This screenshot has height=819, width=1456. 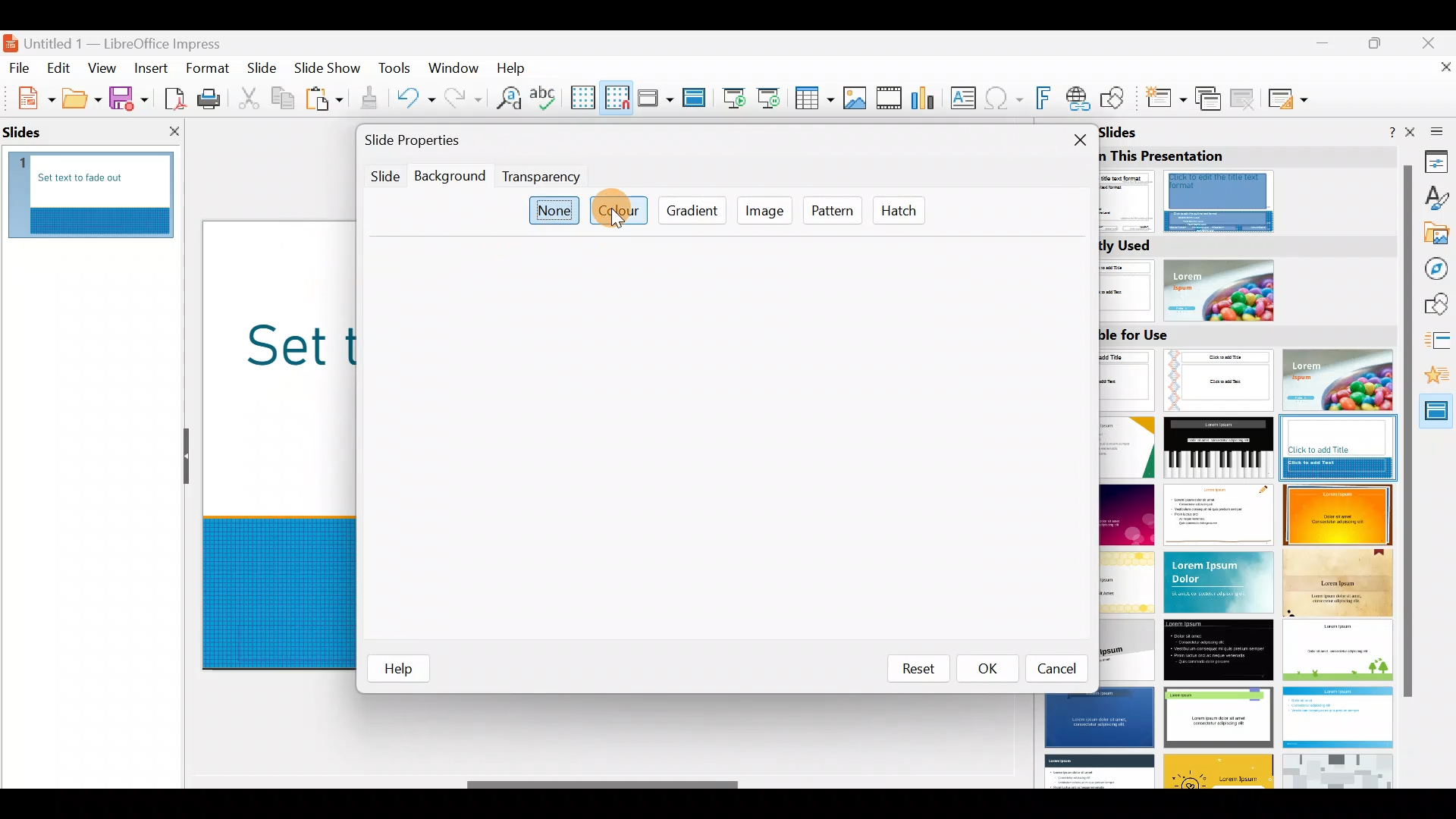 I want to click on , so click(x=174, y=457).